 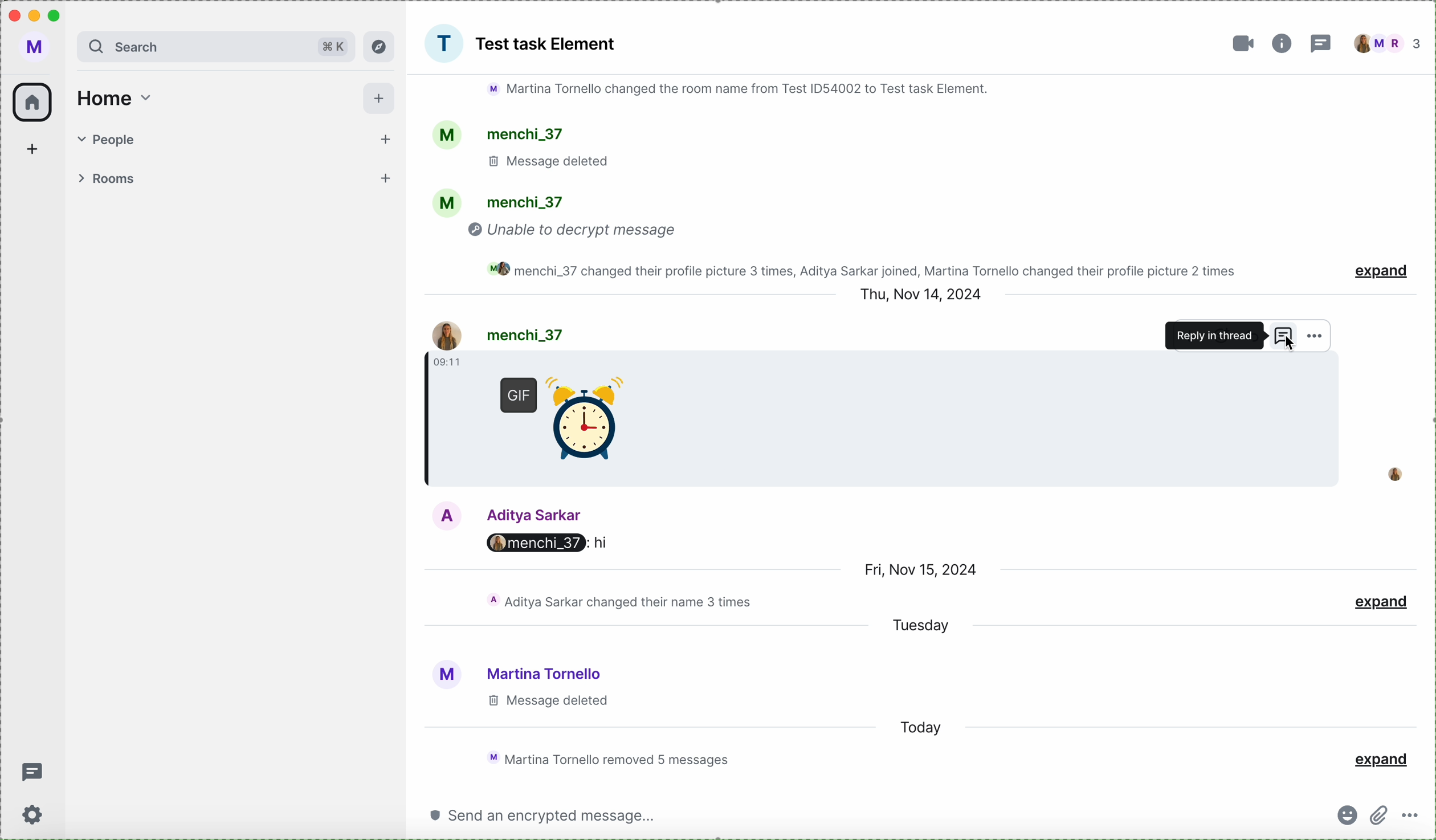 I want to click on add, so click(x=36, y=148).